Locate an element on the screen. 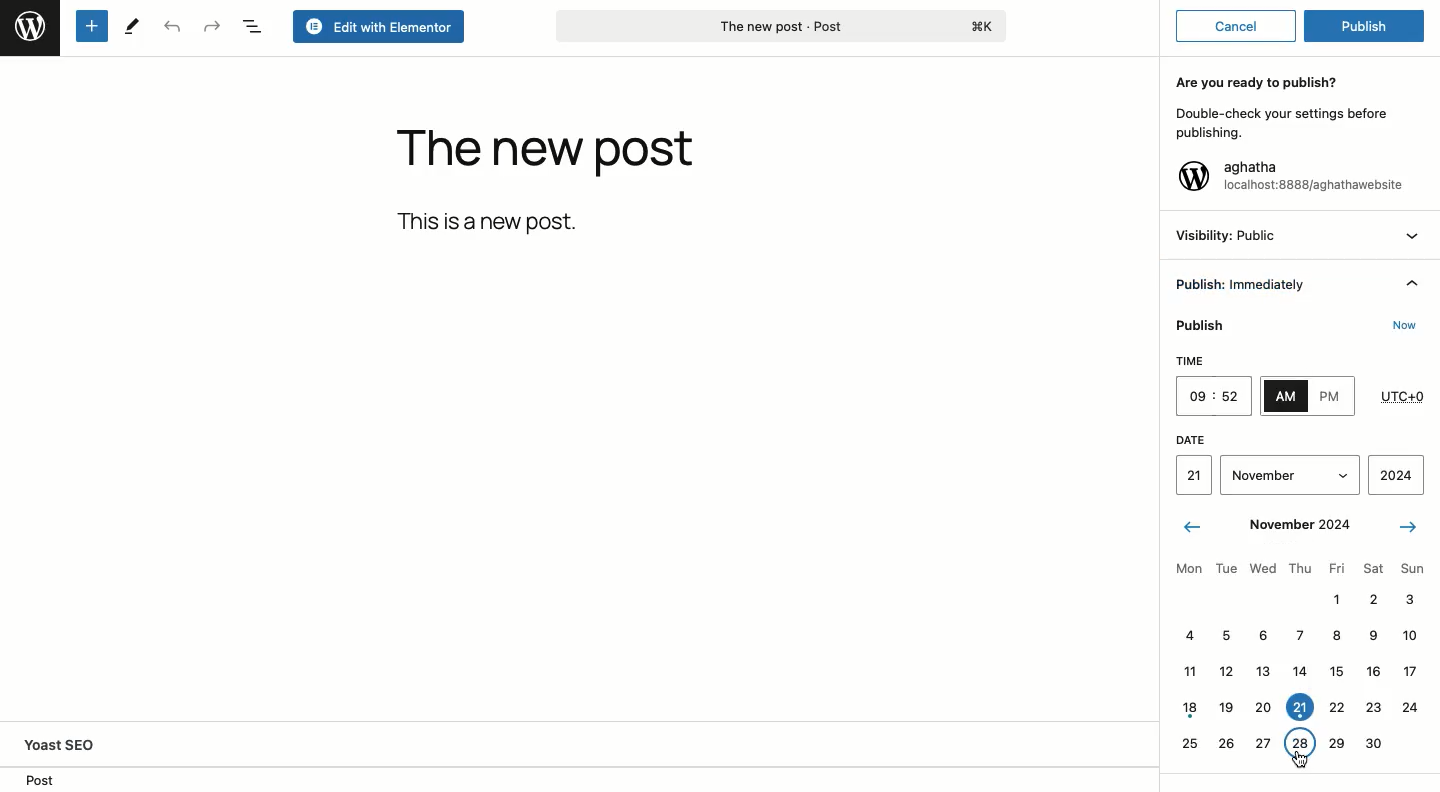 The width and height of the screenshot is (1440, 792). 1 is located at coordinates (1333, 600).